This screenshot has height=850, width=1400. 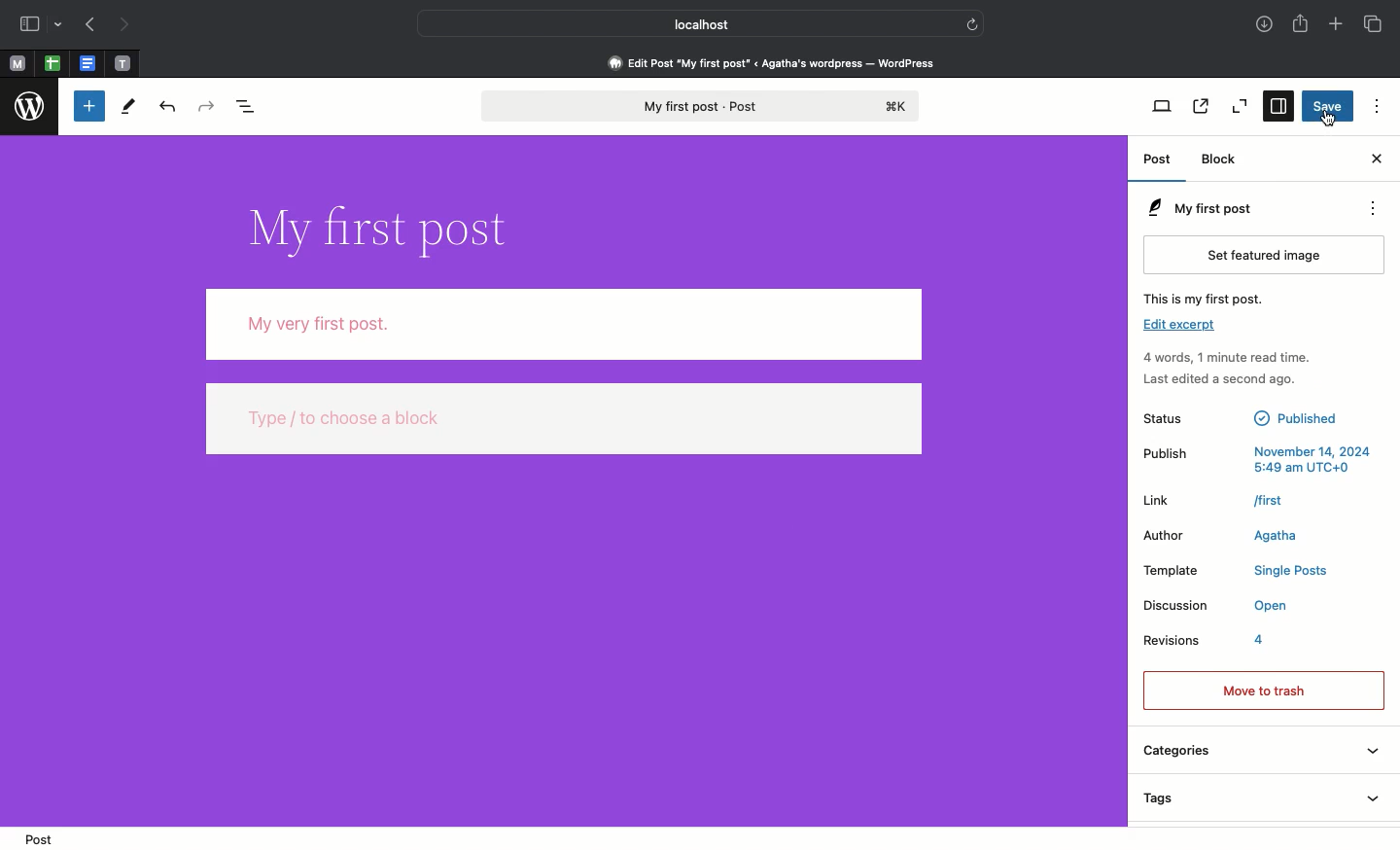 I want to click on This is my first post., so click(x=1218, y=298).